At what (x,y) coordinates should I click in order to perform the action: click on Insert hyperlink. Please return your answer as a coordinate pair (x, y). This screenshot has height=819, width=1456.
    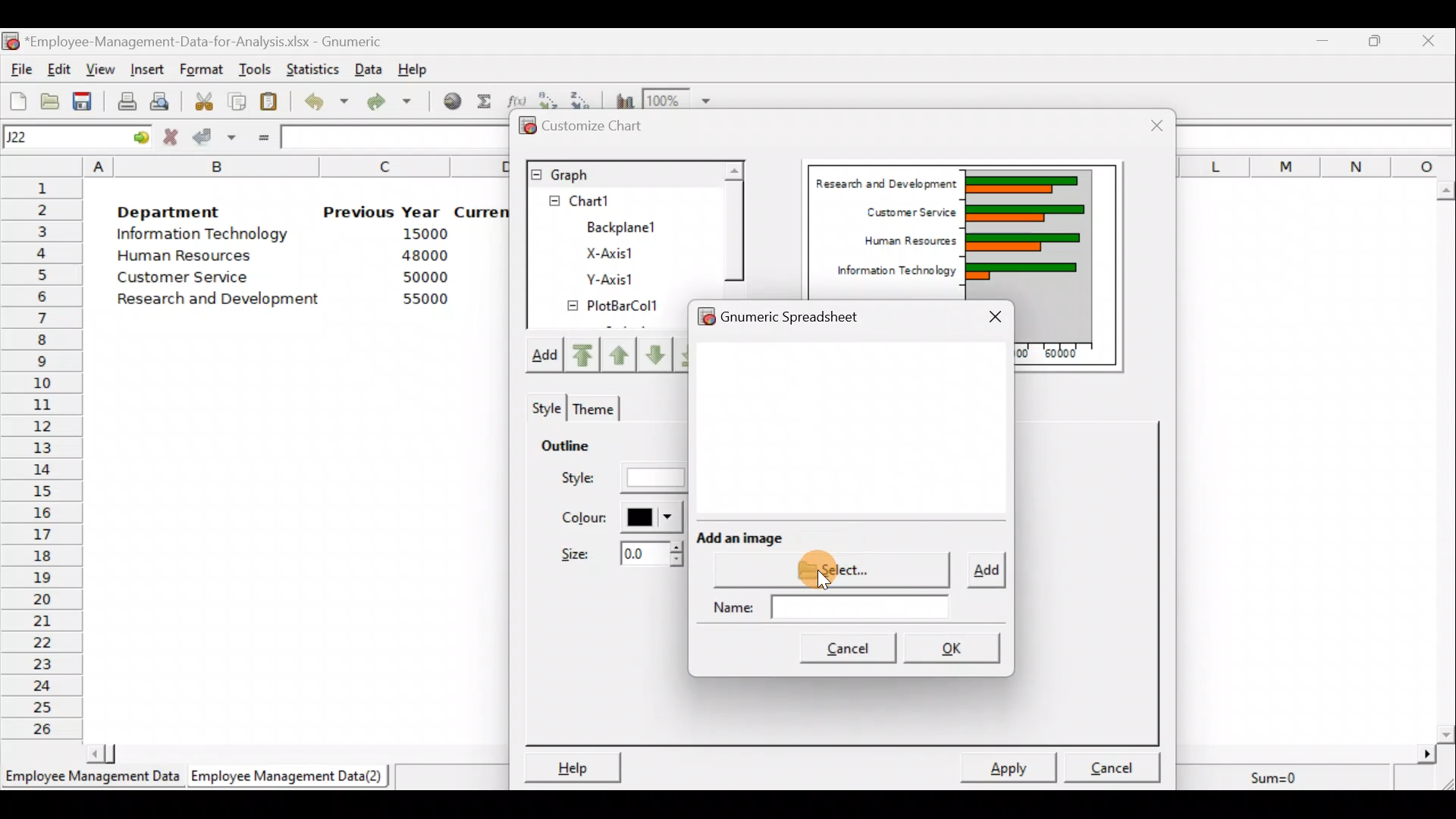
    Looking at the image, I should click on (450, 104).